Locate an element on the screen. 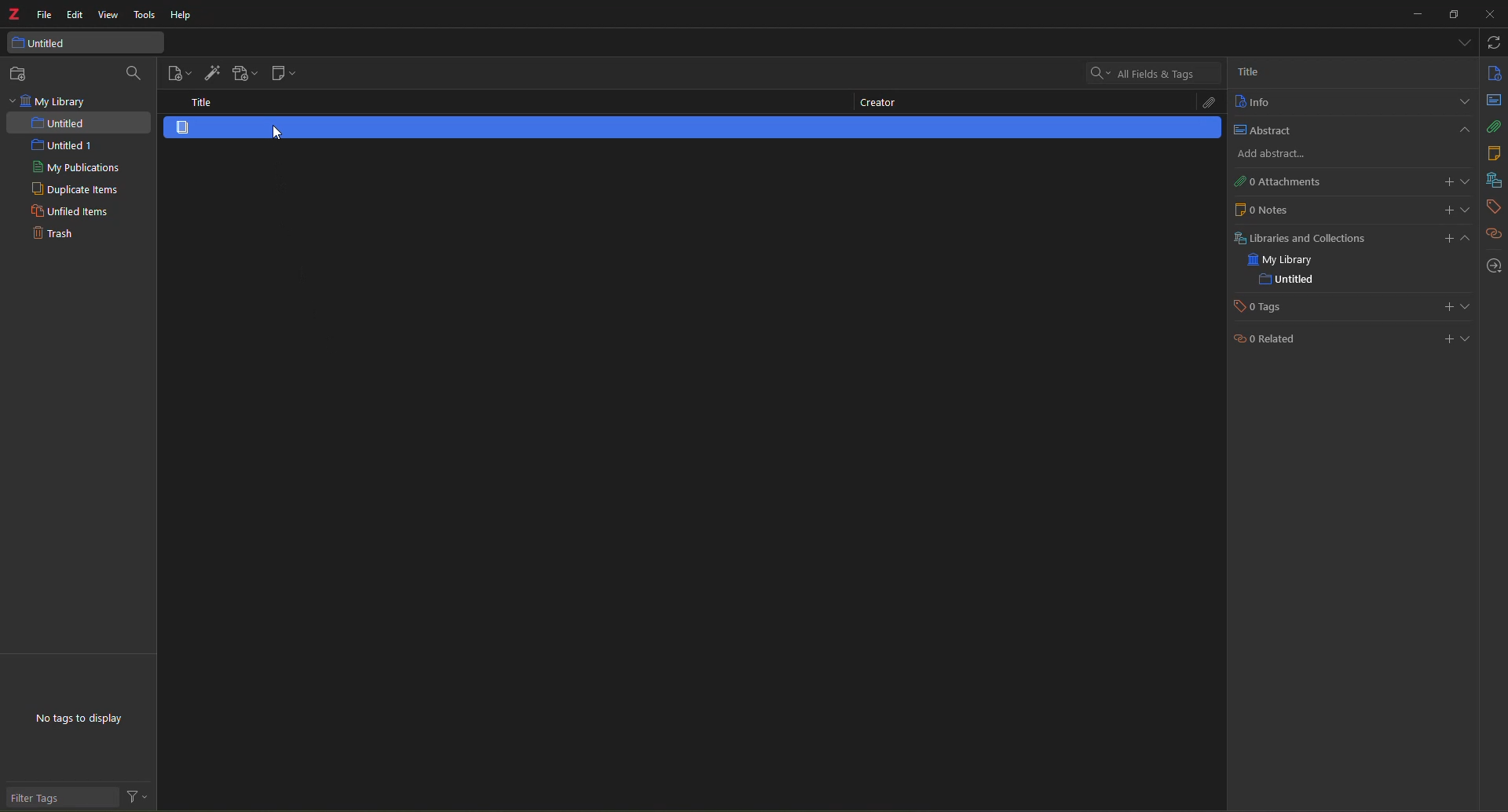  actions is located at coordinates (138, 798).